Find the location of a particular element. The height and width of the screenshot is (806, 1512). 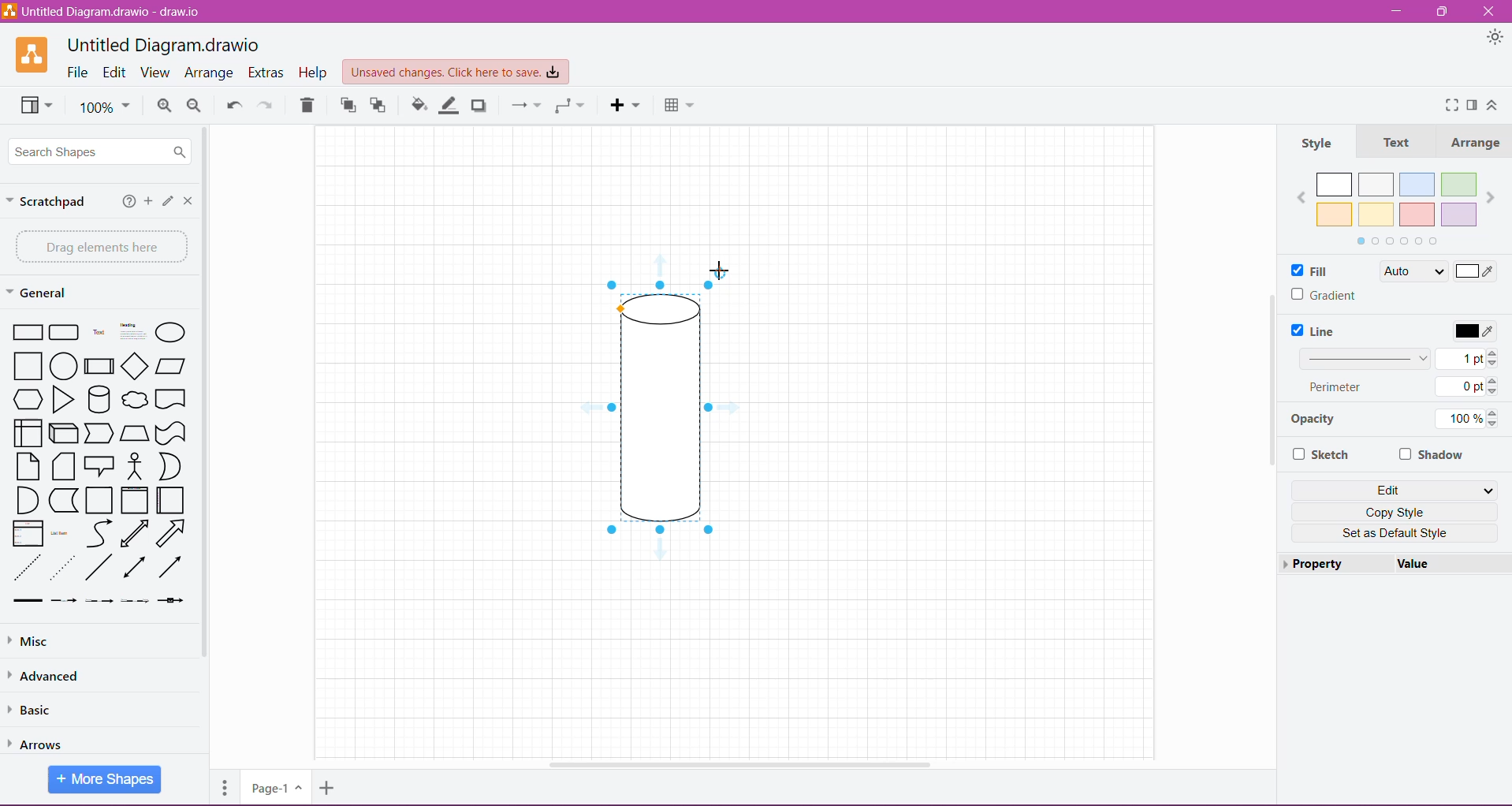

Gradient is located at coordinates (1324, 295).